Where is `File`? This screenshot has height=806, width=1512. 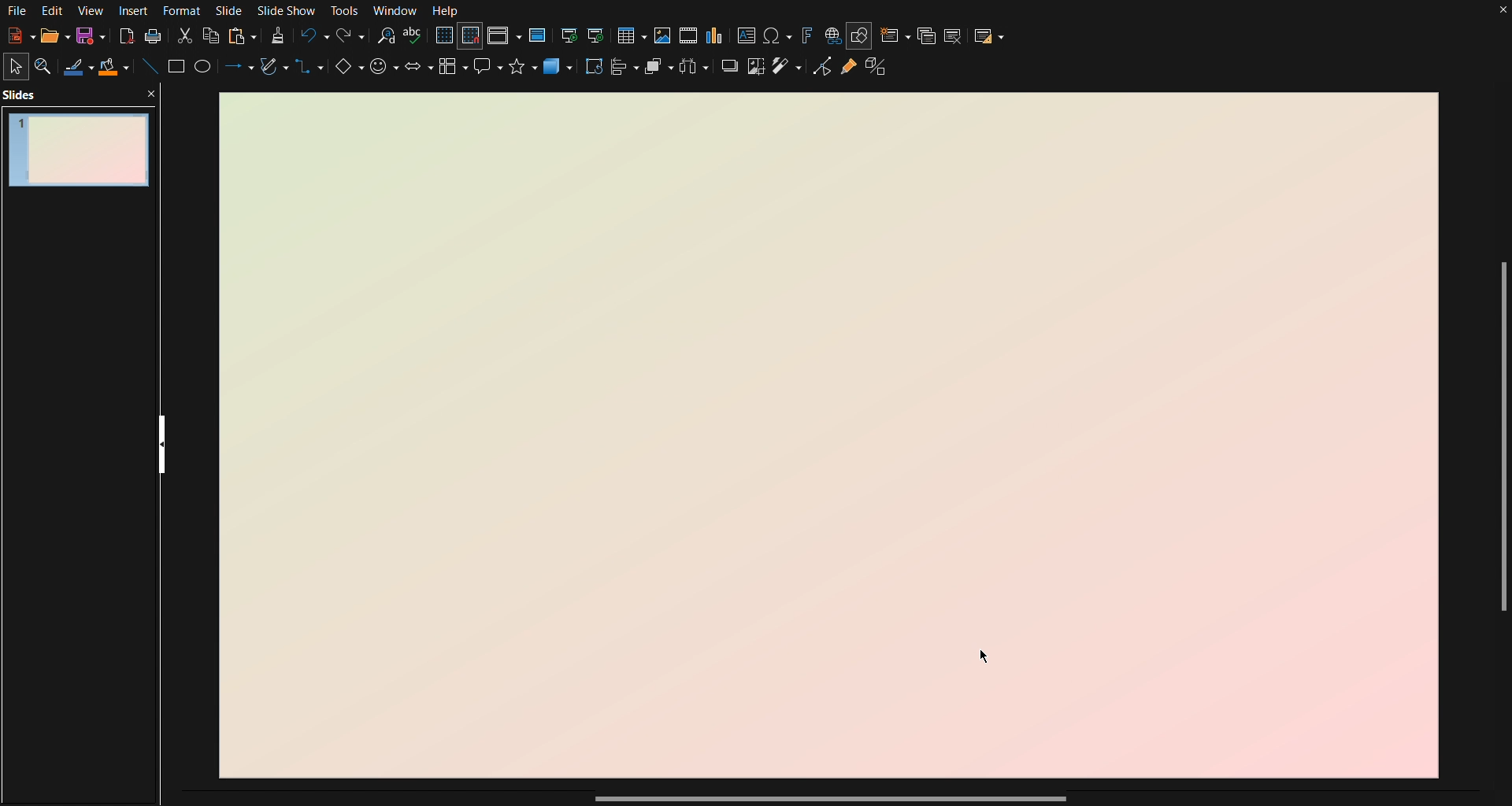 File is located at coordinates (16, 11).